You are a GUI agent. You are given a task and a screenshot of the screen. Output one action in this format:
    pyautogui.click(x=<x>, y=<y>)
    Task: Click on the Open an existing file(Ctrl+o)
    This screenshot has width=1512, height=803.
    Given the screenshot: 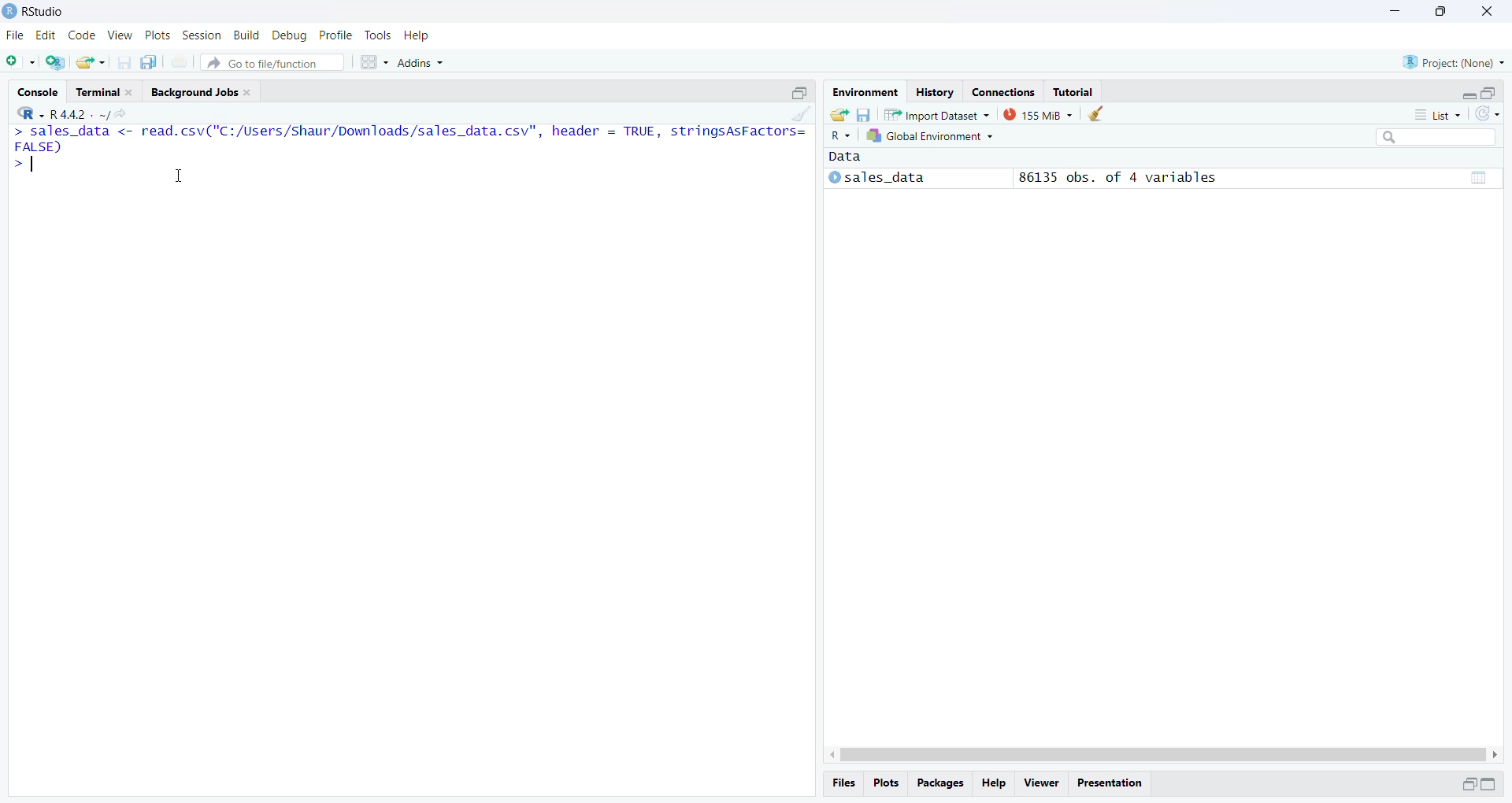 What is the action you would take?
    pyautogui.click(x=93, y=62)
    